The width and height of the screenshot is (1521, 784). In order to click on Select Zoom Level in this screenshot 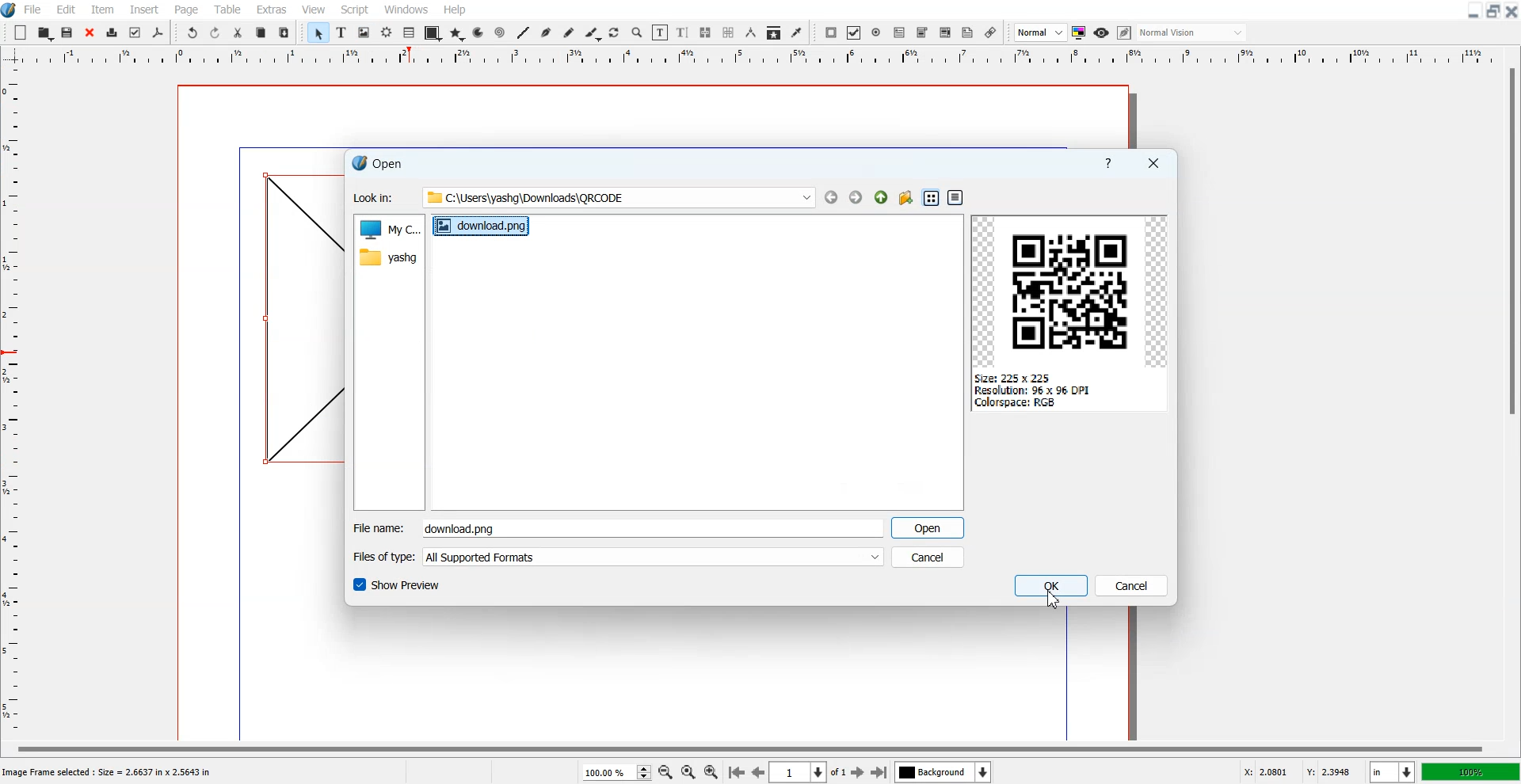, I will do `click(616, 771)`.